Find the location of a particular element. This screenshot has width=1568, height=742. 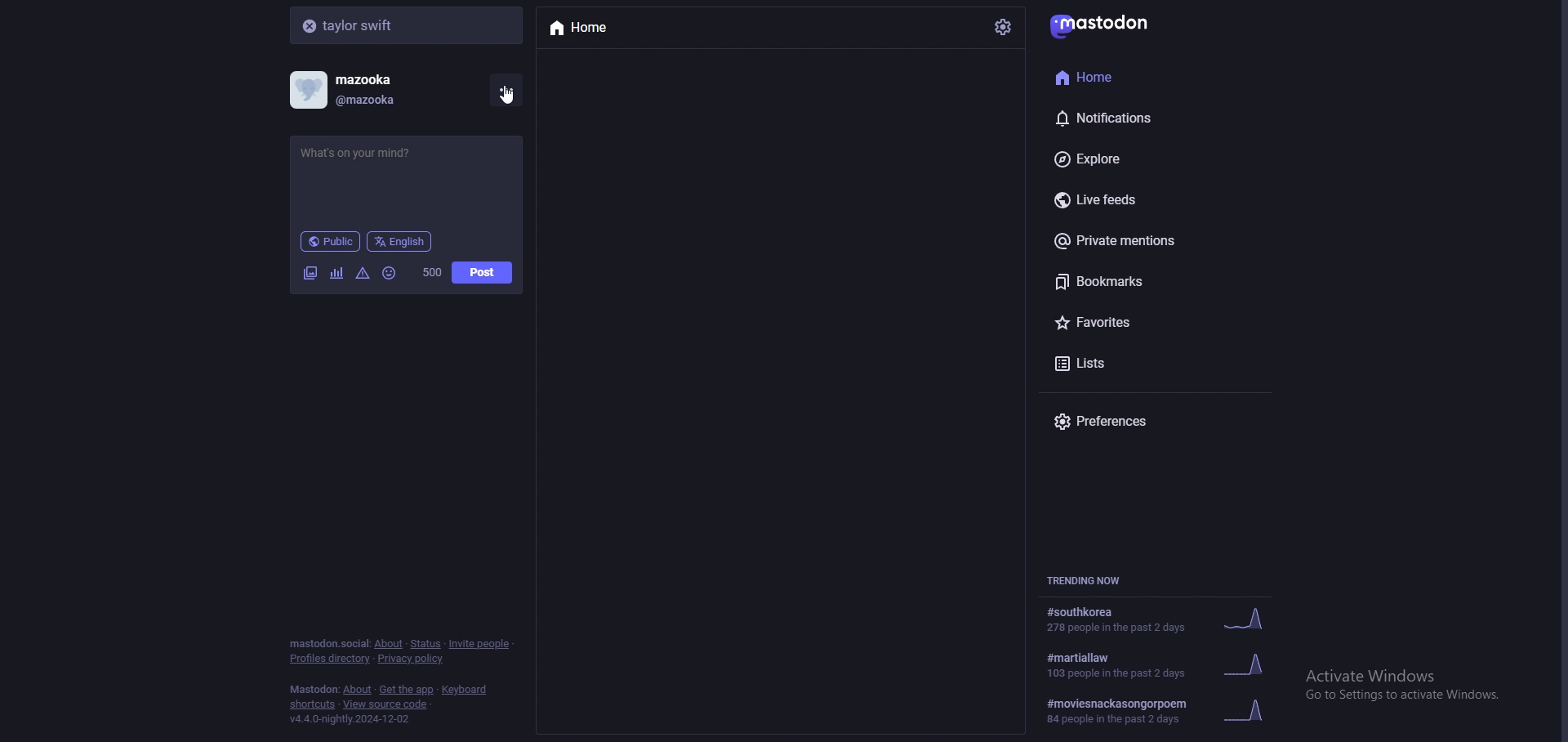

home is located at coordinates (586, 26).